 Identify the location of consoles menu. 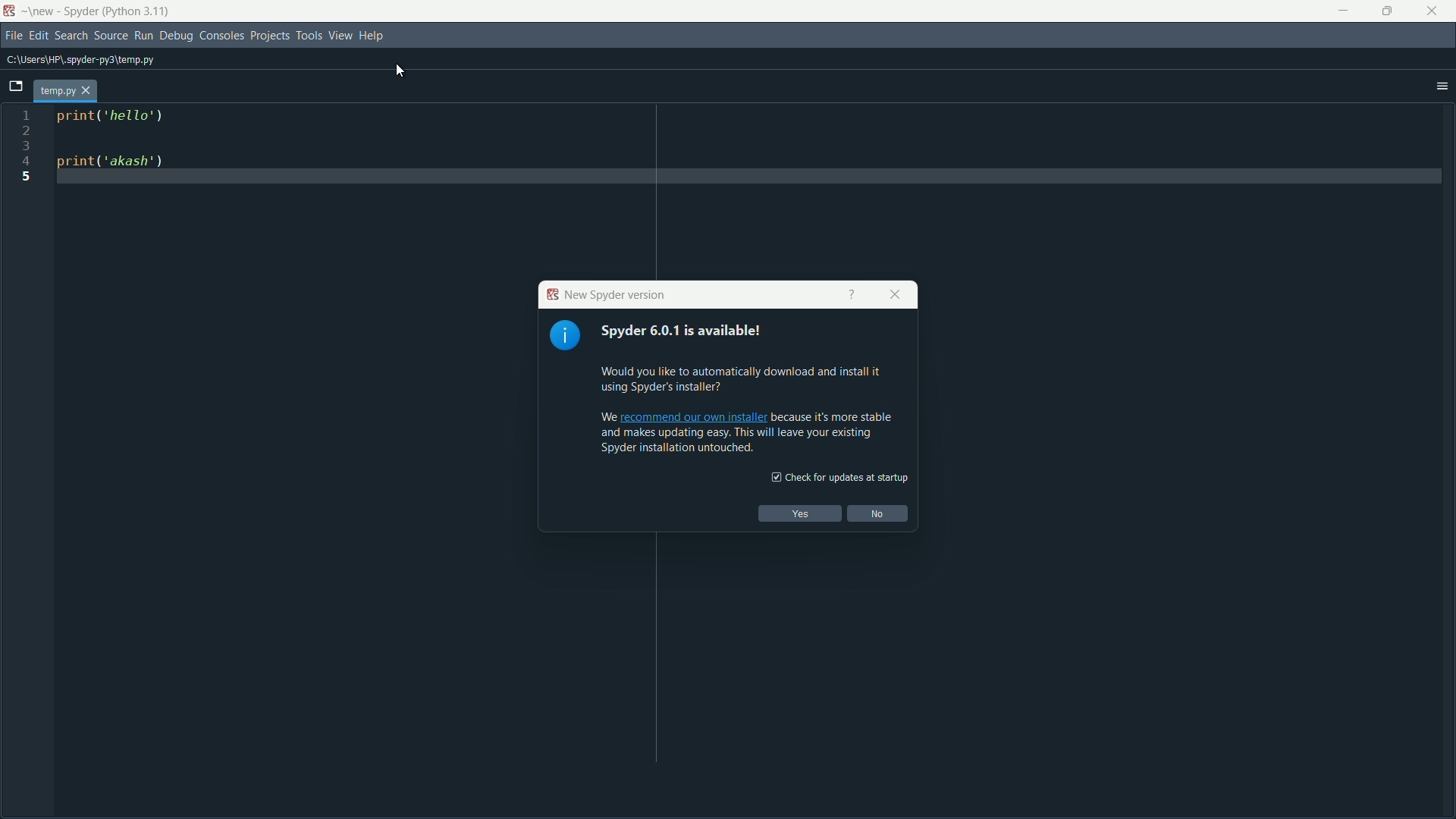
(221, 35).